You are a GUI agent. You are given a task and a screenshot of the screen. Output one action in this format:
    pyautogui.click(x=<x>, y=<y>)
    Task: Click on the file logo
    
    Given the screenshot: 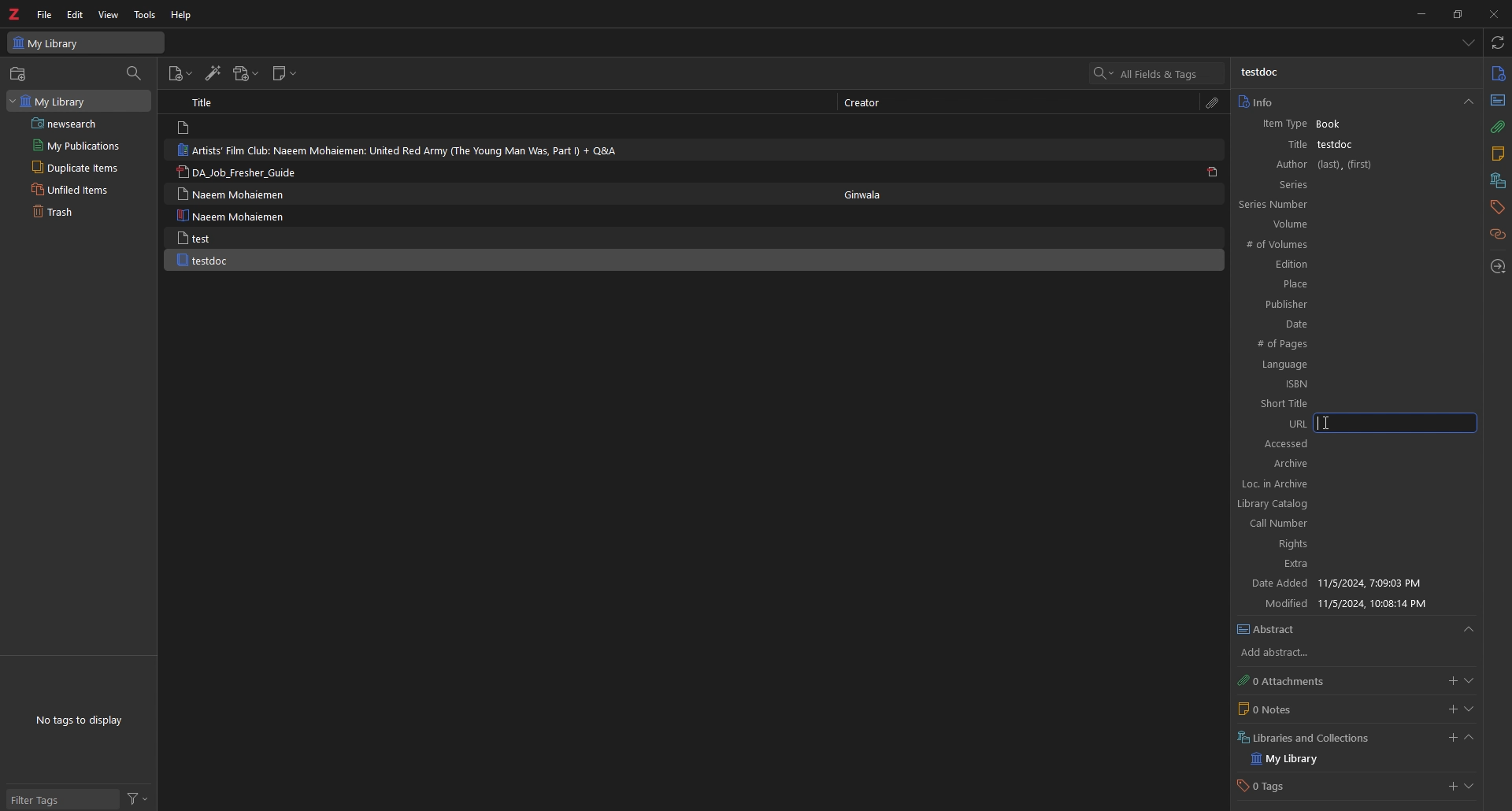 What is the action you would take?
    pyautogui.click(x=185, y=128)
    